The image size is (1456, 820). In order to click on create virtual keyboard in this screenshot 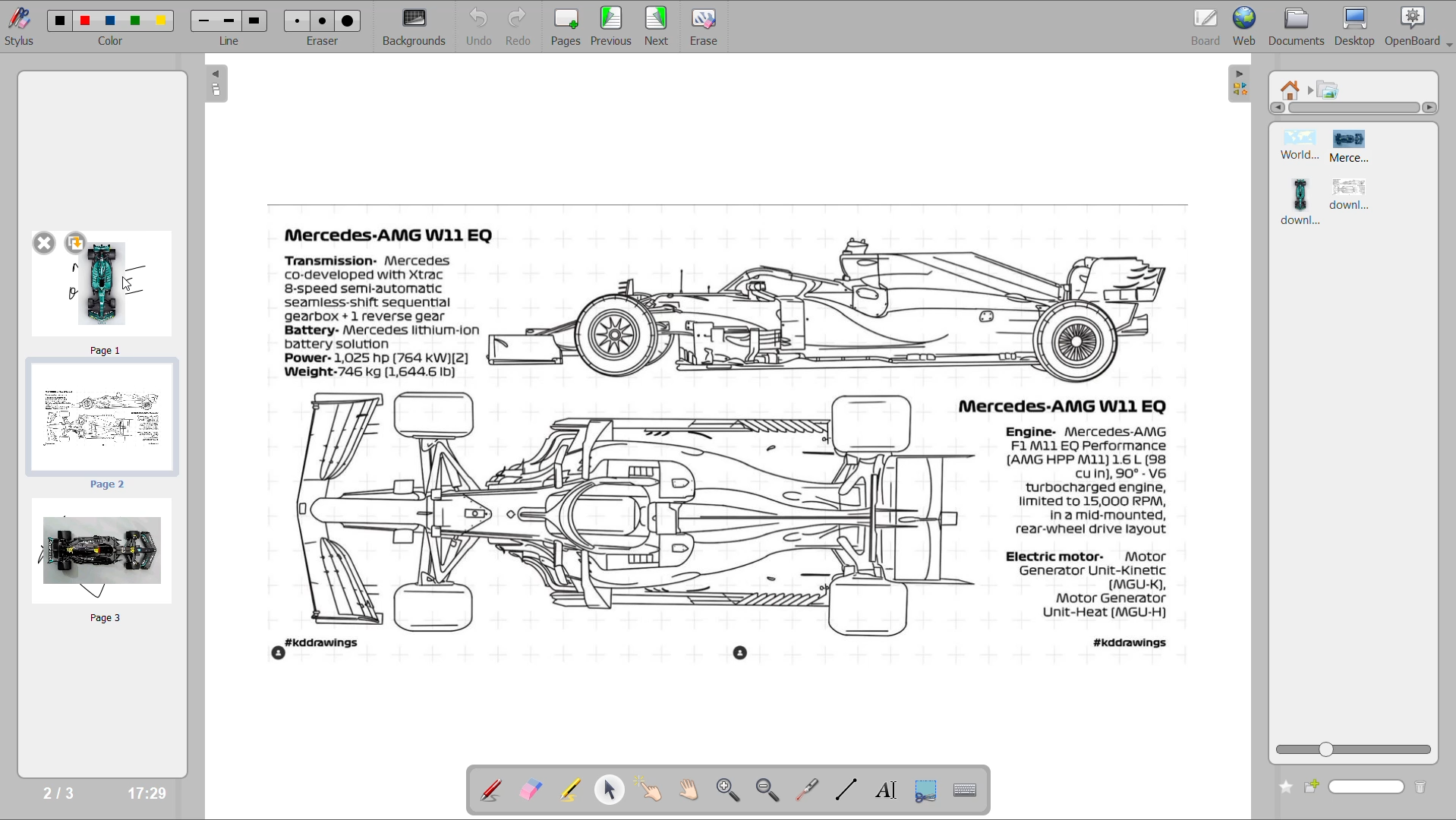, I will do `click(967, 791)`.